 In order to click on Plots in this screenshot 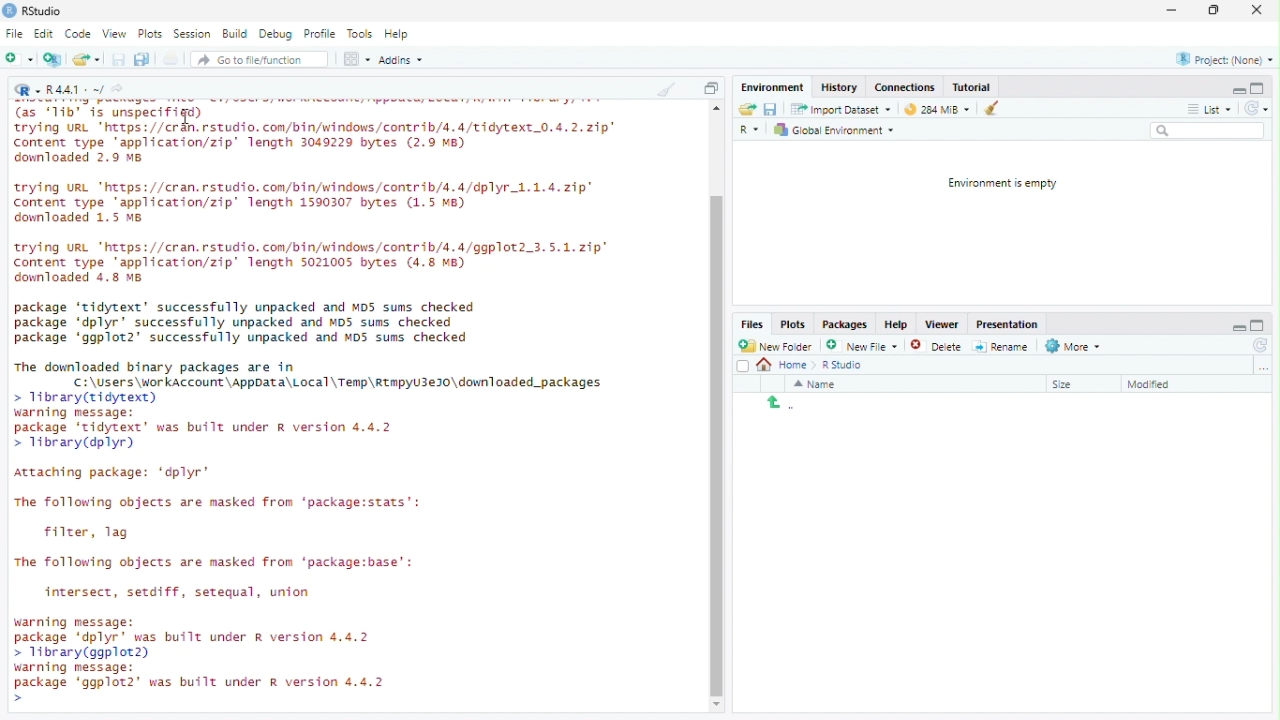, I will do `click(149, 34)`.